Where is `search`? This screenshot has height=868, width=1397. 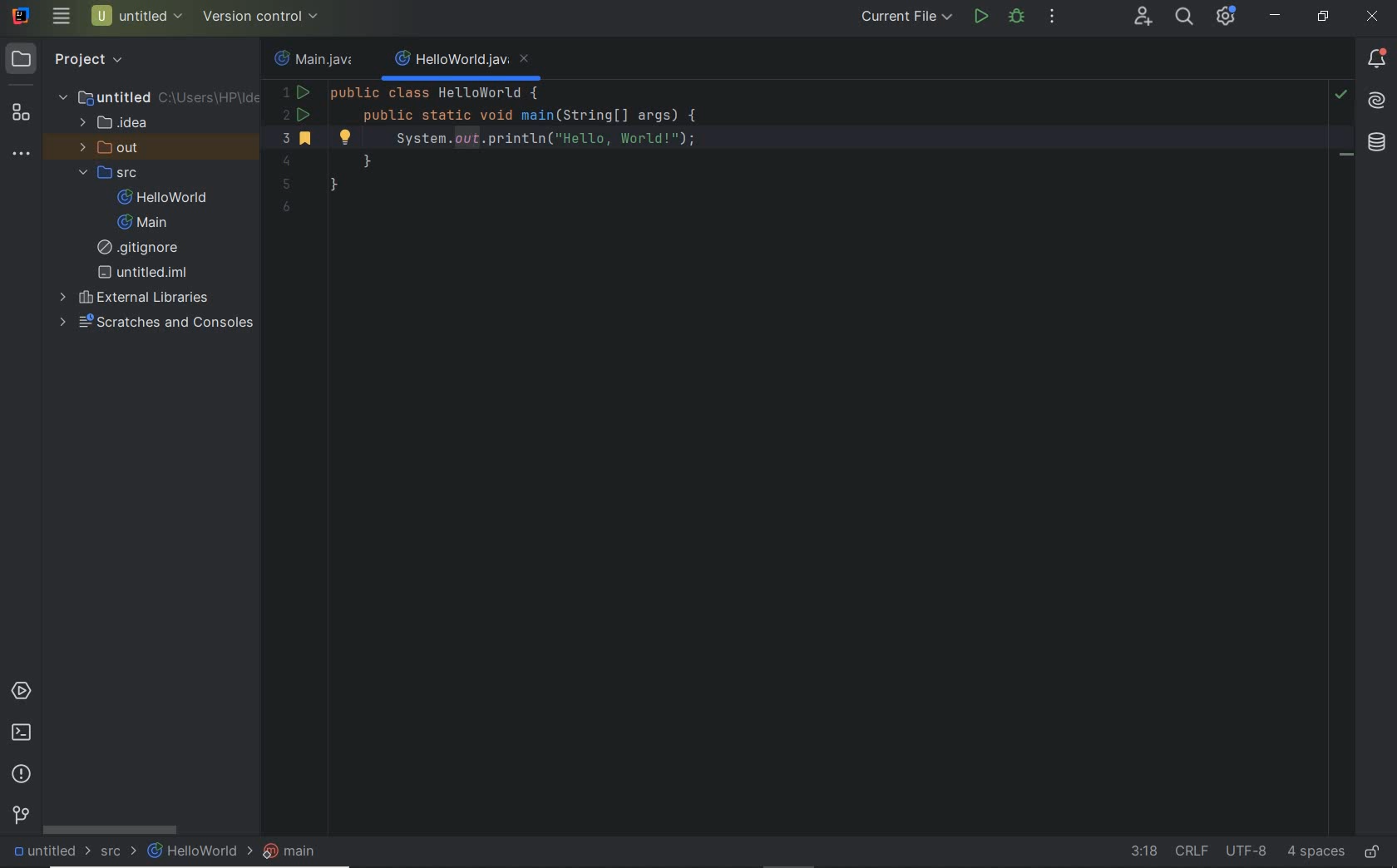 search is located at coordinates (1182, 18).